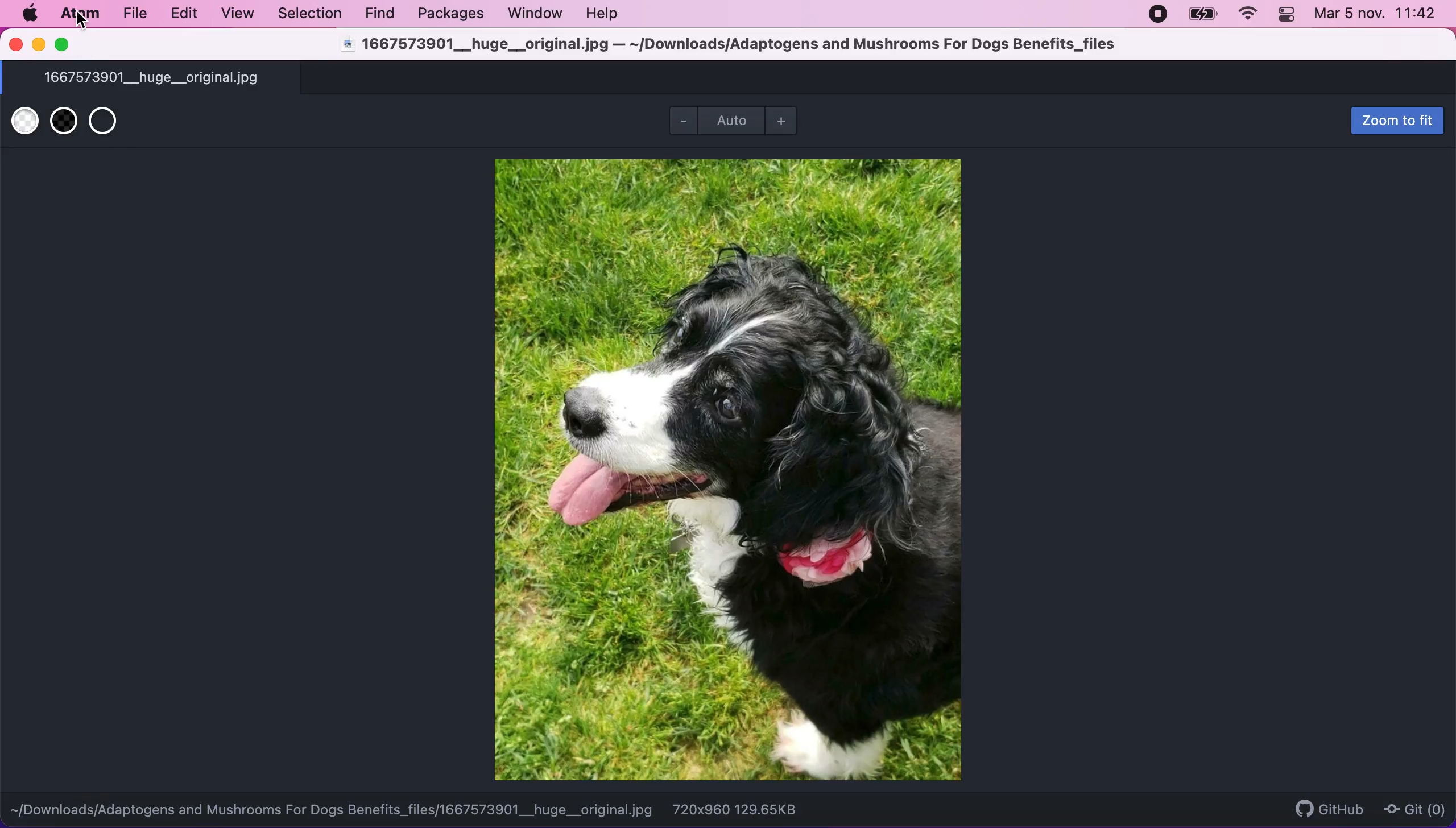 The height and width of the screenshot is (828, 1456). What do you see at coordinates (82, 21) in the screenshot?
I see `cursor` at bounding box center [82, 21].